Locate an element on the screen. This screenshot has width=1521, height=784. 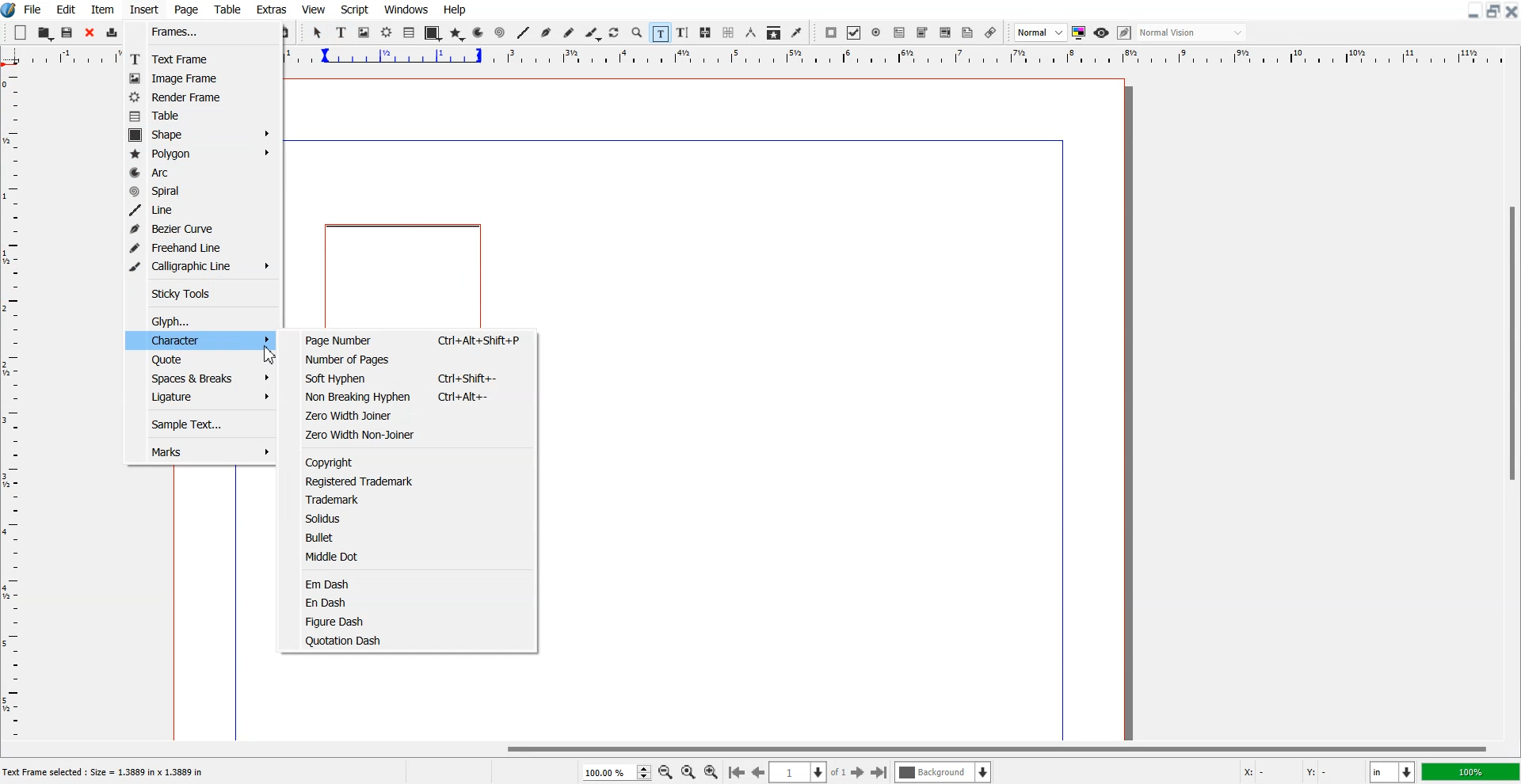
Character is located at coordinates (200, 340).